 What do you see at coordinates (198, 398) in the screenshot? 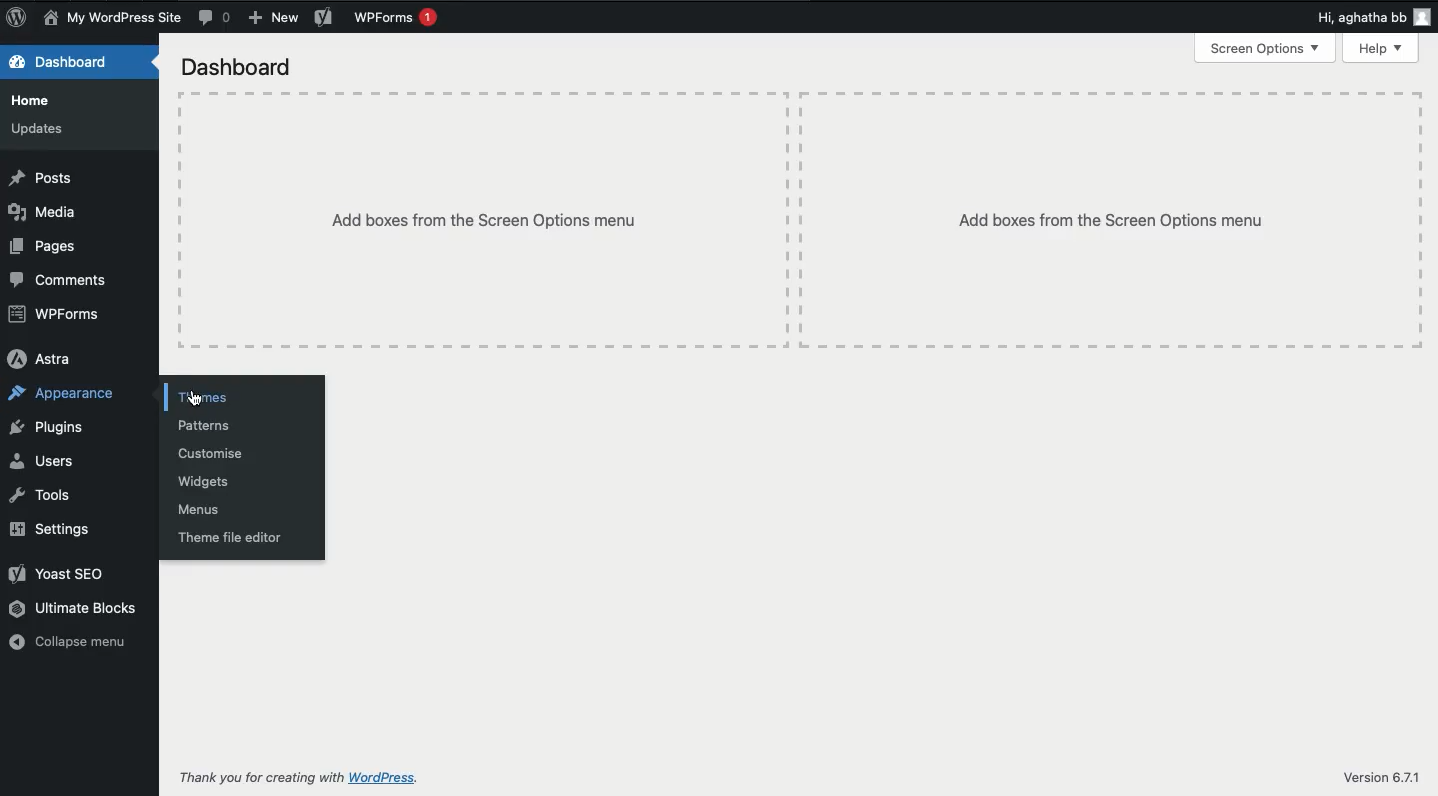
I see `Click` at bounding box center [198, 398].